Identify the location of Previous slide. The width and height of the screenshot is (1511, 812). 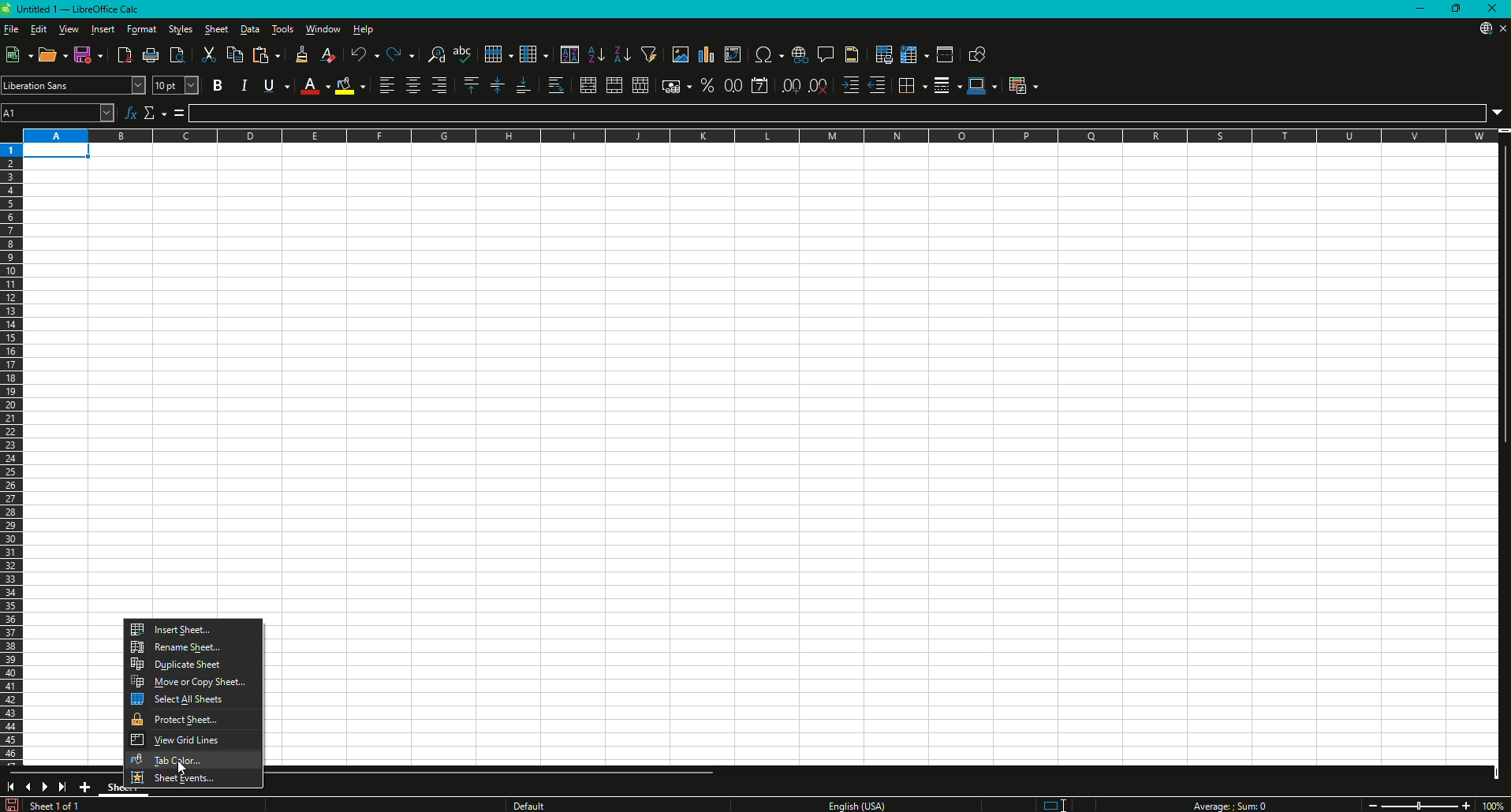
(25, 786).